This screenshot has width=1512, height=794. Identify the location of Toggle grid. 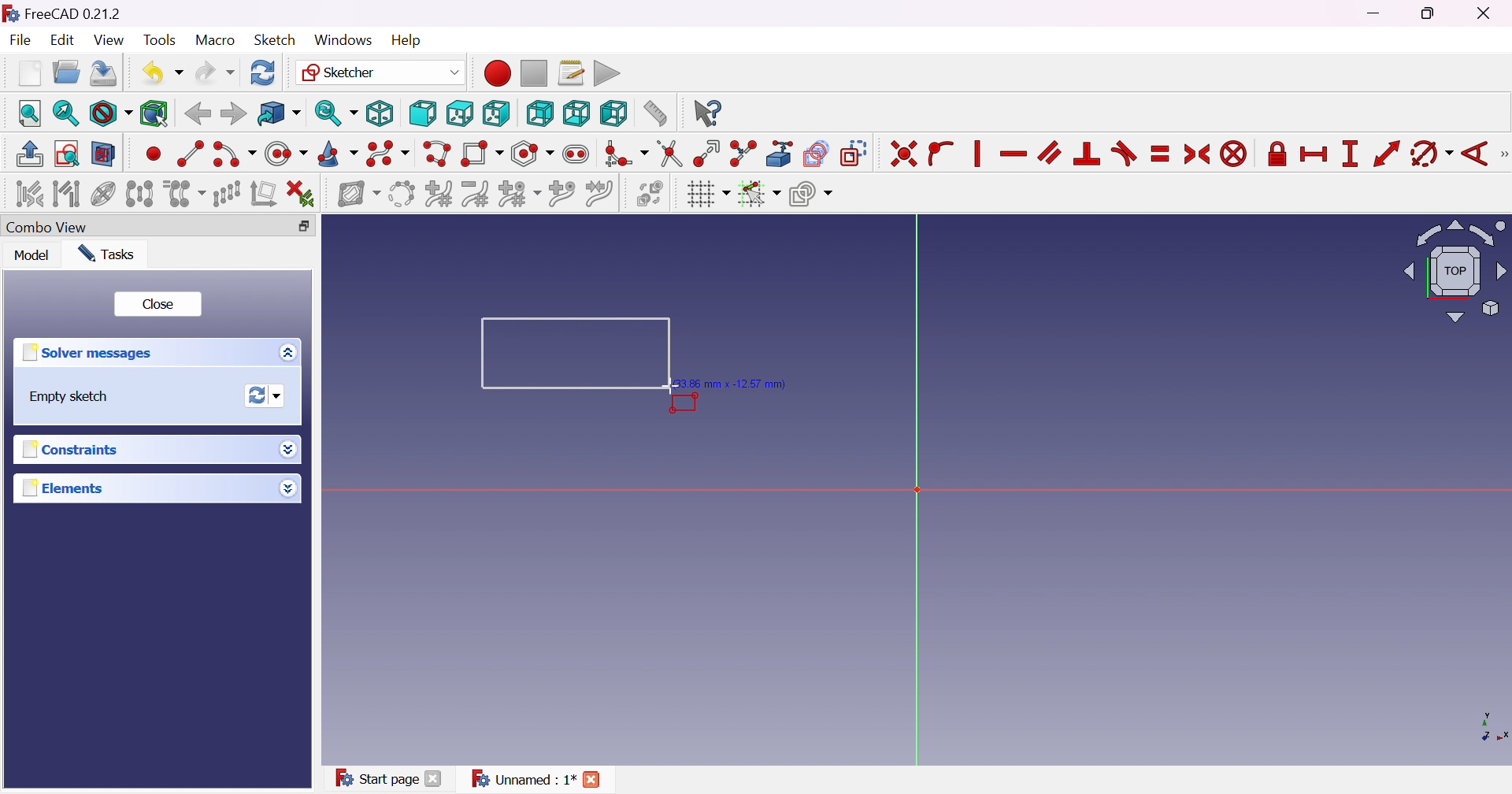
(707, 195).